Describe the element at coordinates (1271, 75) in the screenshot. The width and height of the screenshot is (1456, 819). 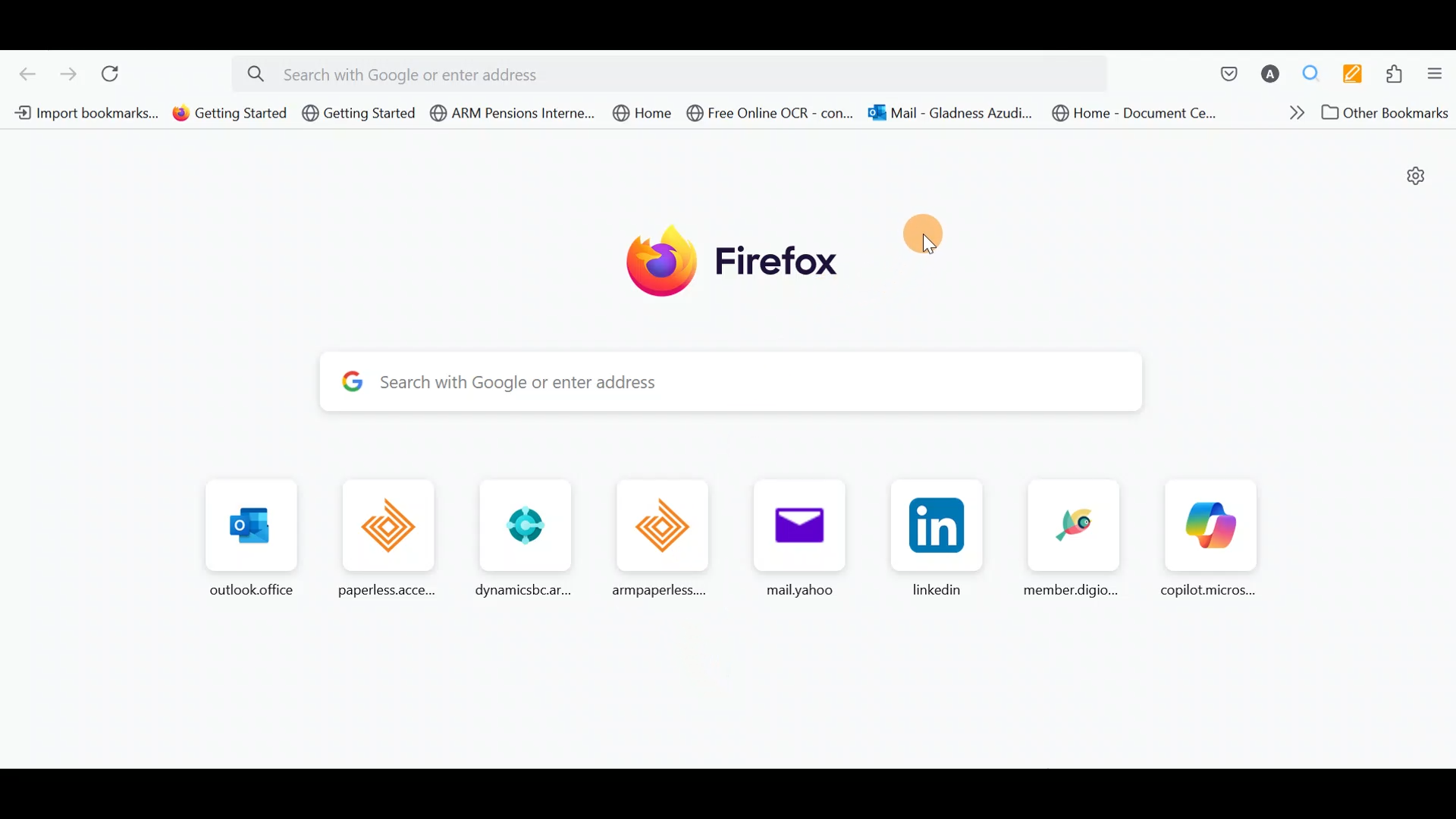
I see `Account` at that location.